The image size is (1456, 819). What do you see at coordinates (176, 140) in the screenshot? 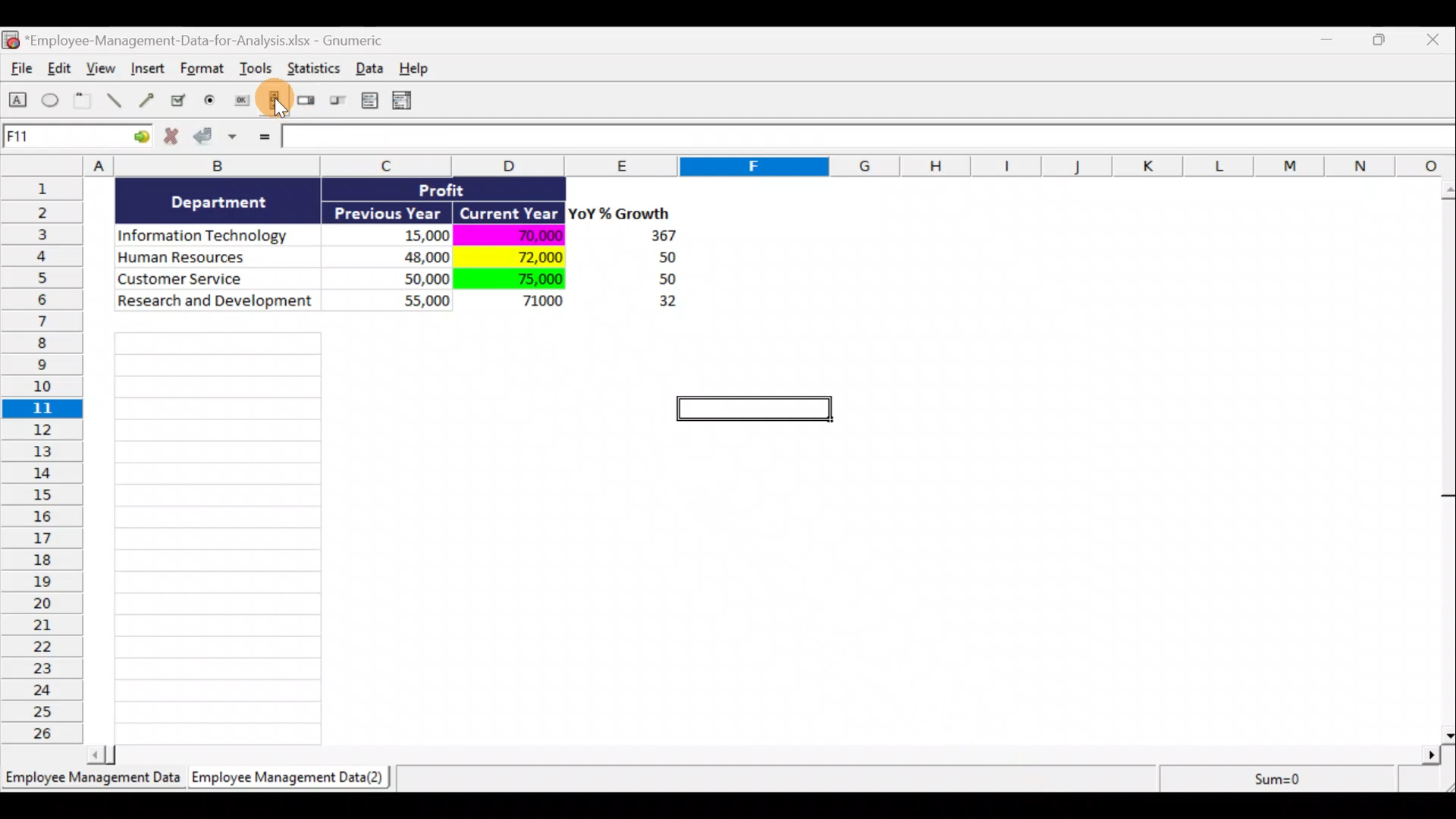
I see `Cancel change` at bounding box center [176, 140].